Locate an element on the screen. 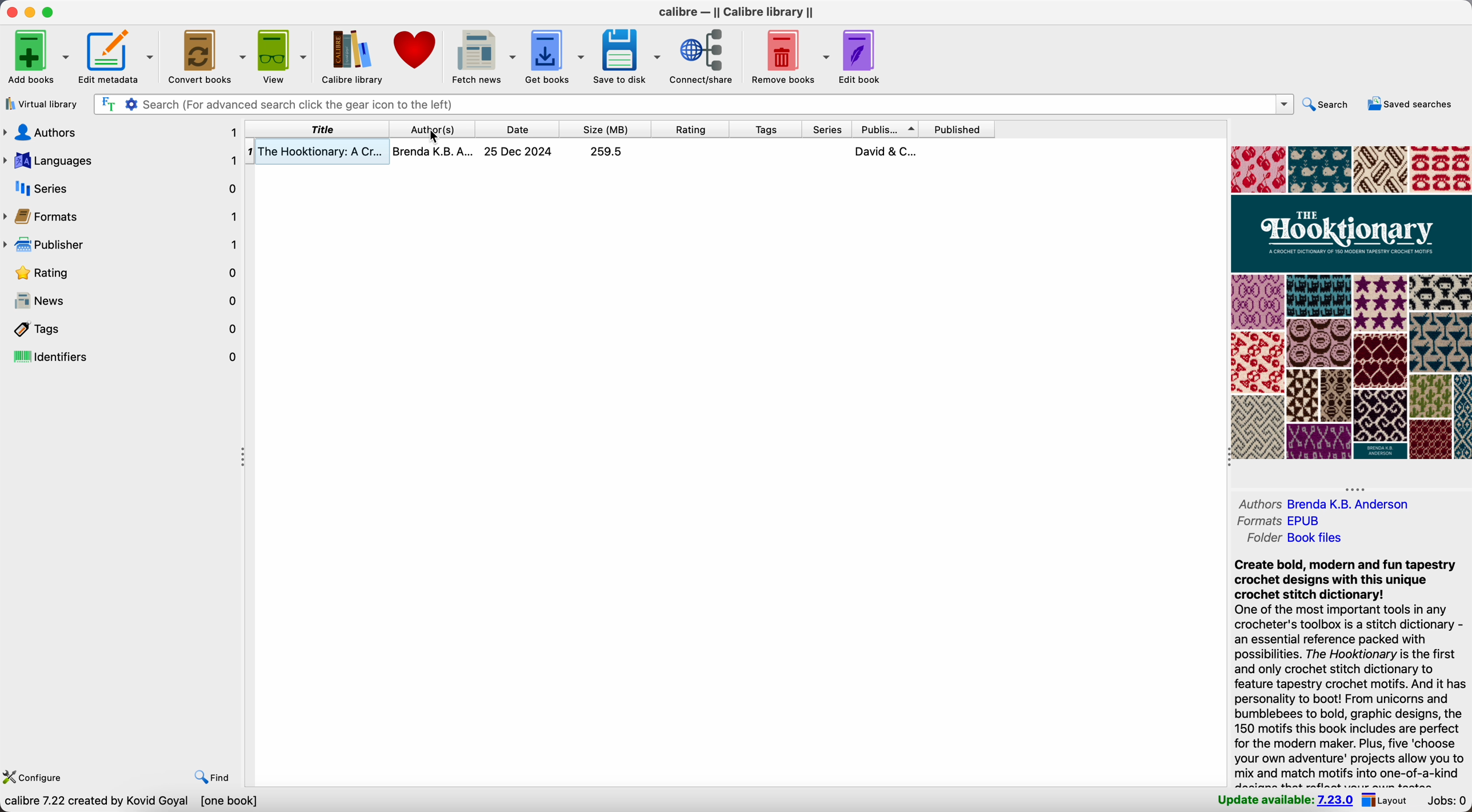  minimize is located at coordinates (33, 13).